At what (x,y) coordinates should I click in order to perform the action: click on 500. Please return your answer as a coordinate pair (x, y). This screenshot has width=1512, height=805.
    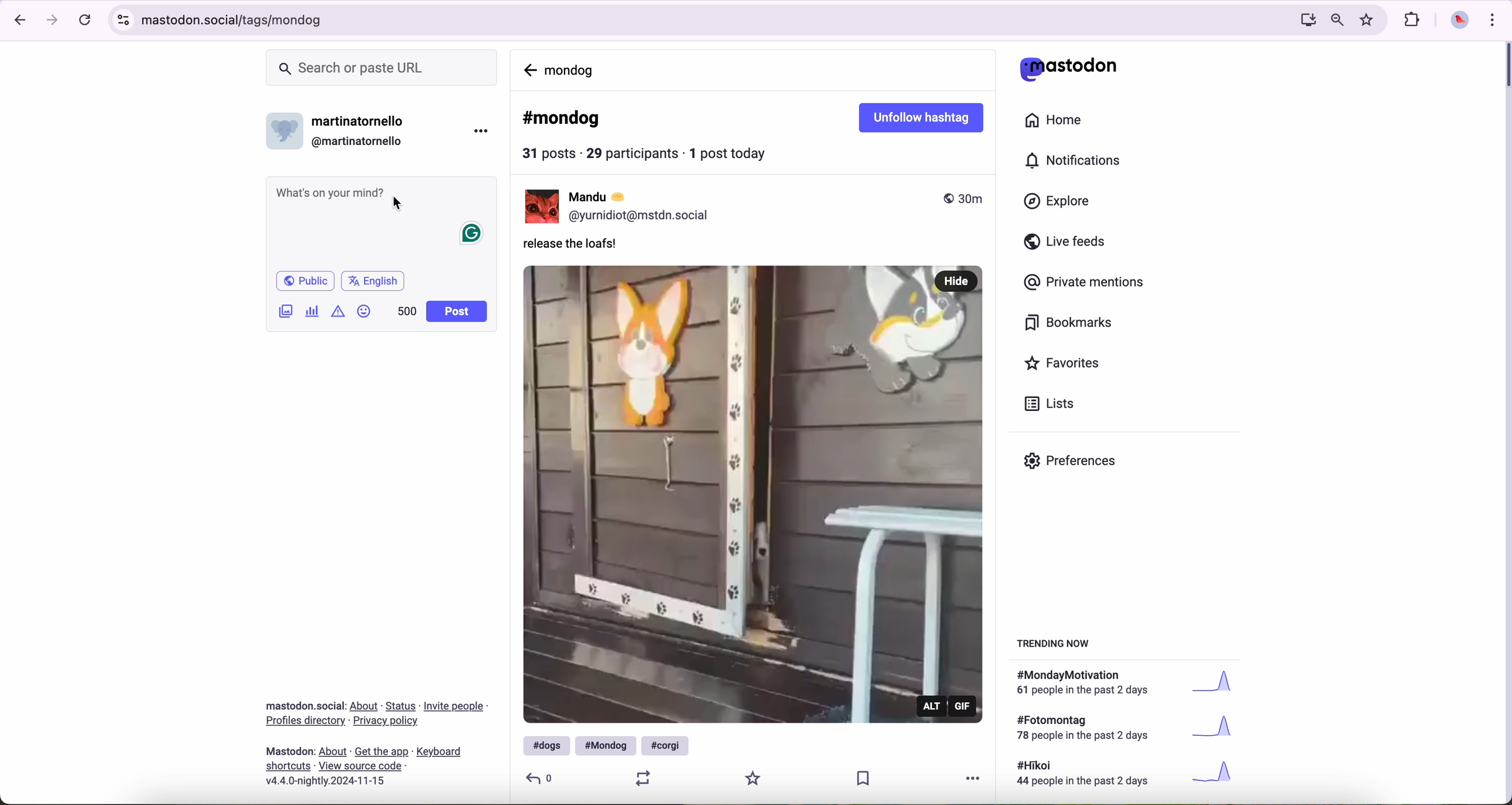
    Looking at the image, I should click on (406, 311).